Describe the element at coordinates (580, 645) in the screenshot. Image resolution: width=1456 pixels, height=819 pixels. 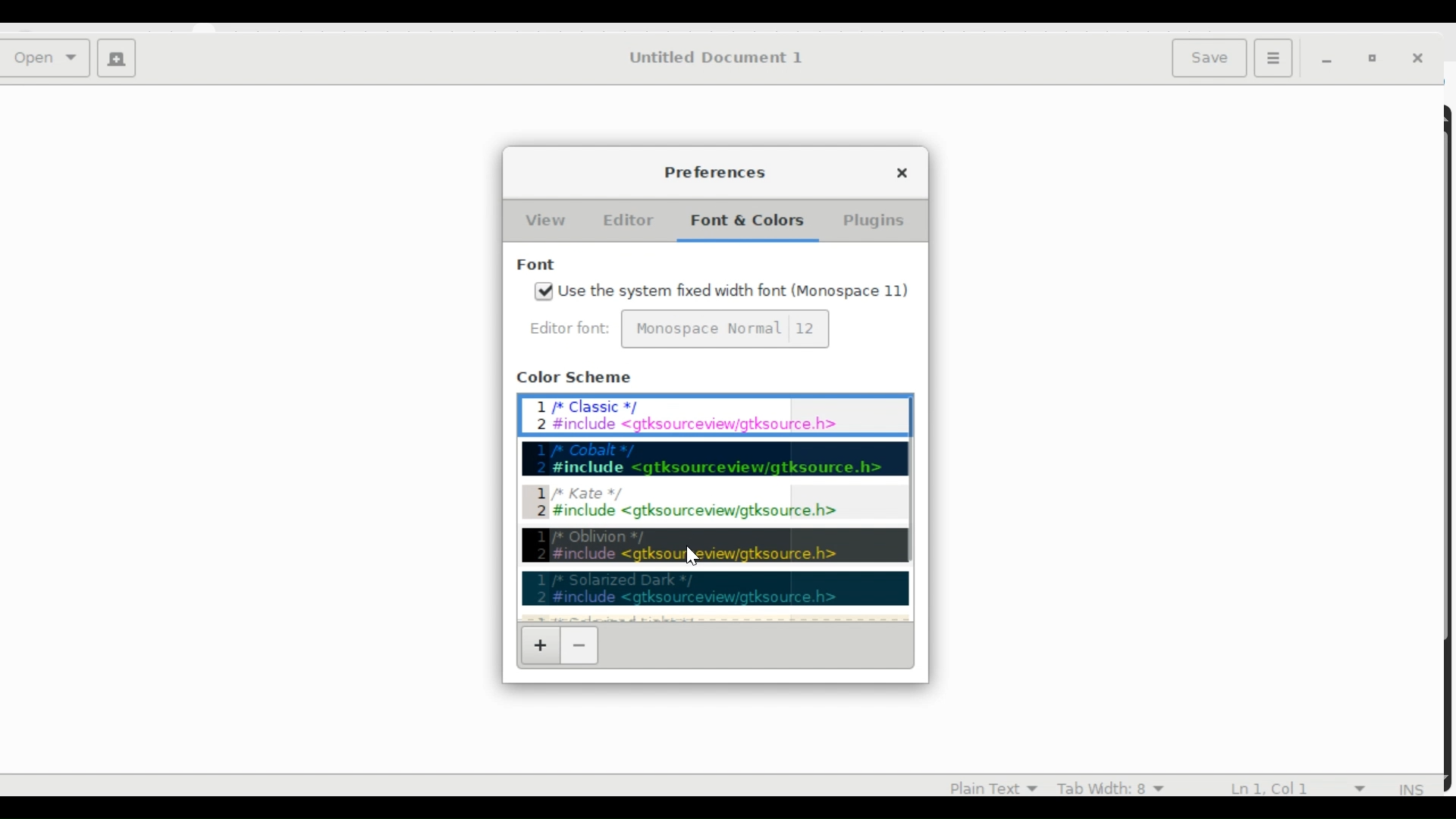
I see `Remove color scheme options` at that location.